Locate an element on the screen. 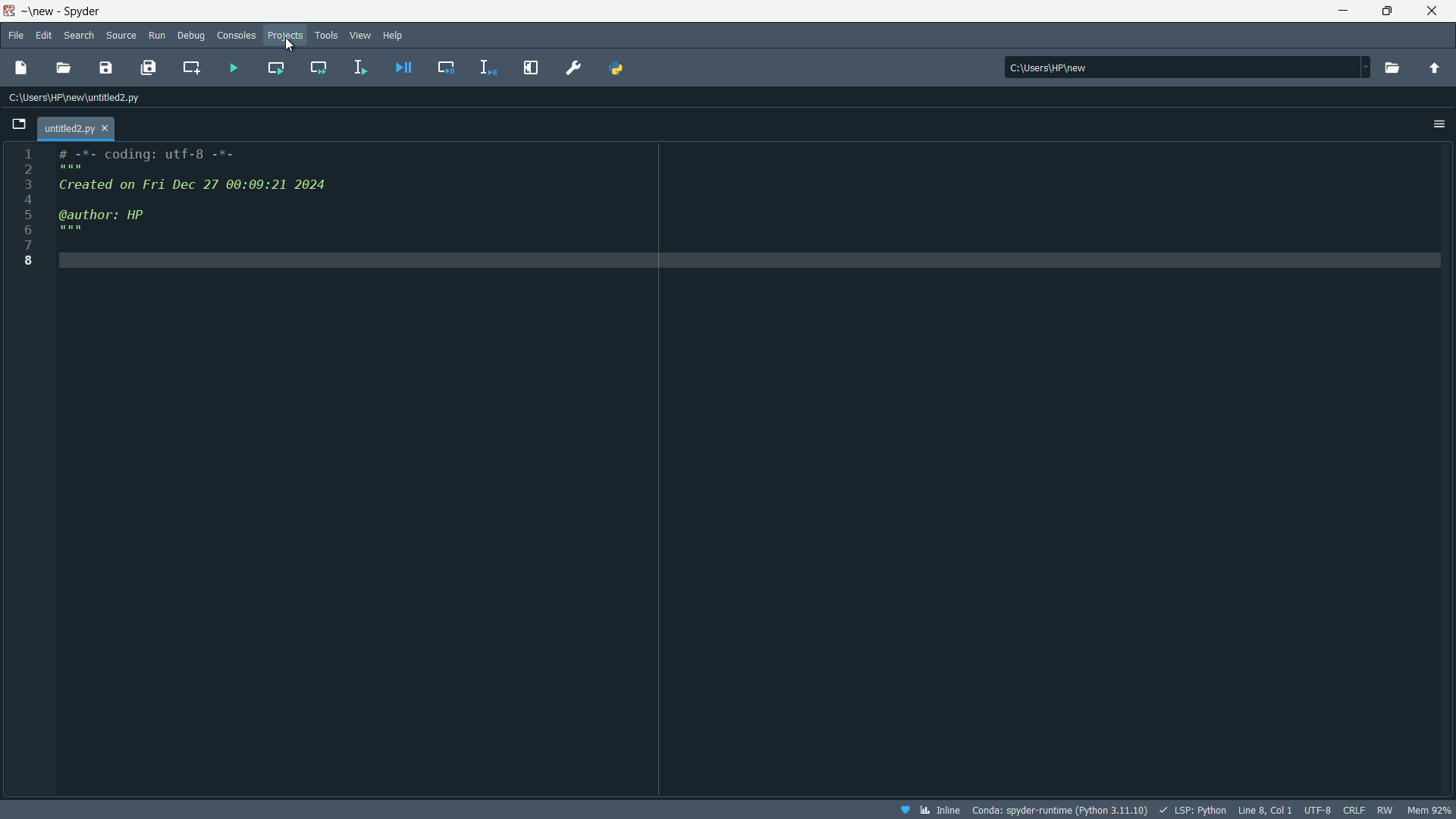  Debug selection or current line is located at coordinates (485, 65).